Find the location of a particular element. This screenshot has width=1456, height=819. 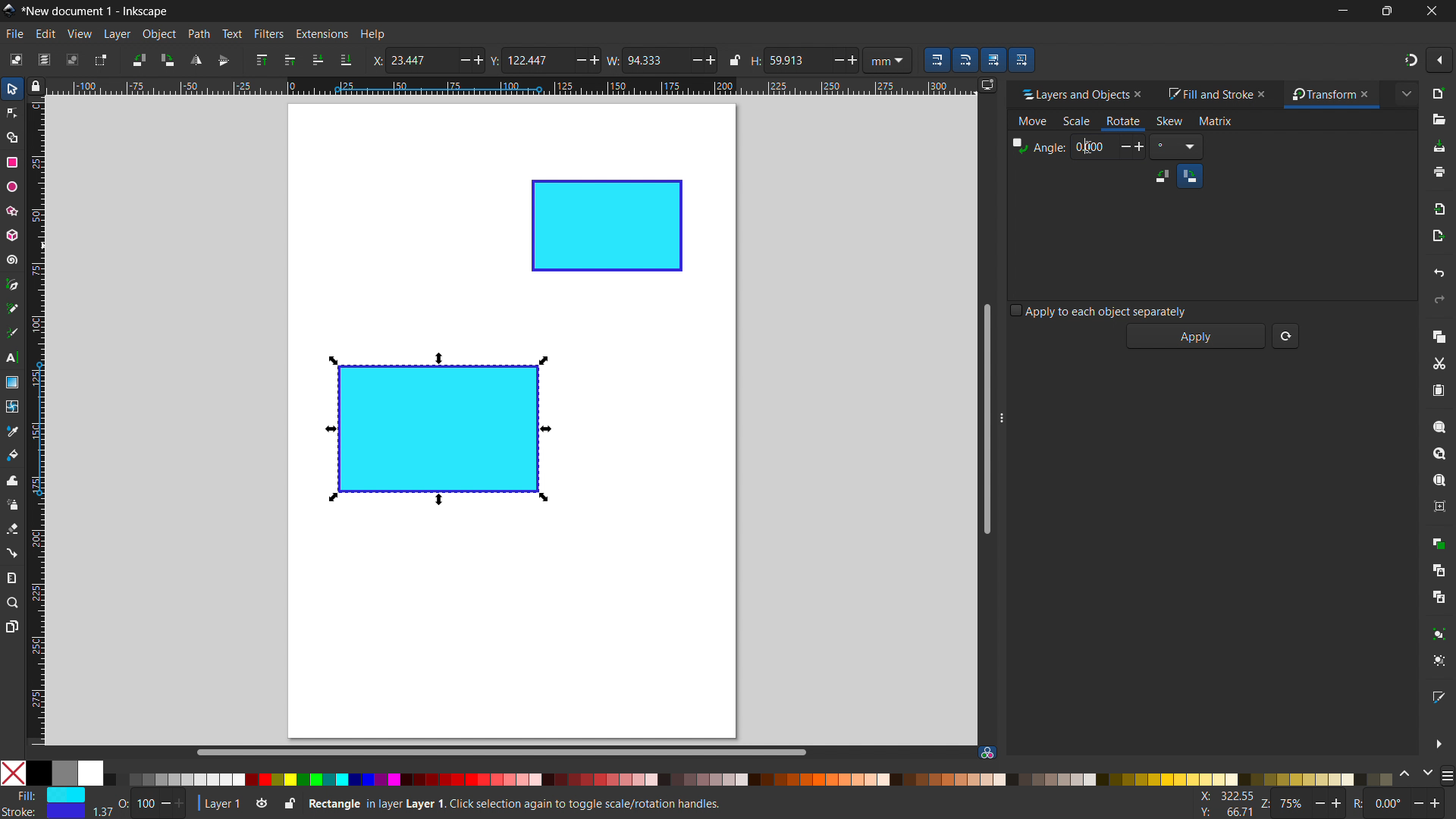

Decrease/ minus is located at coordinates (833, 59).